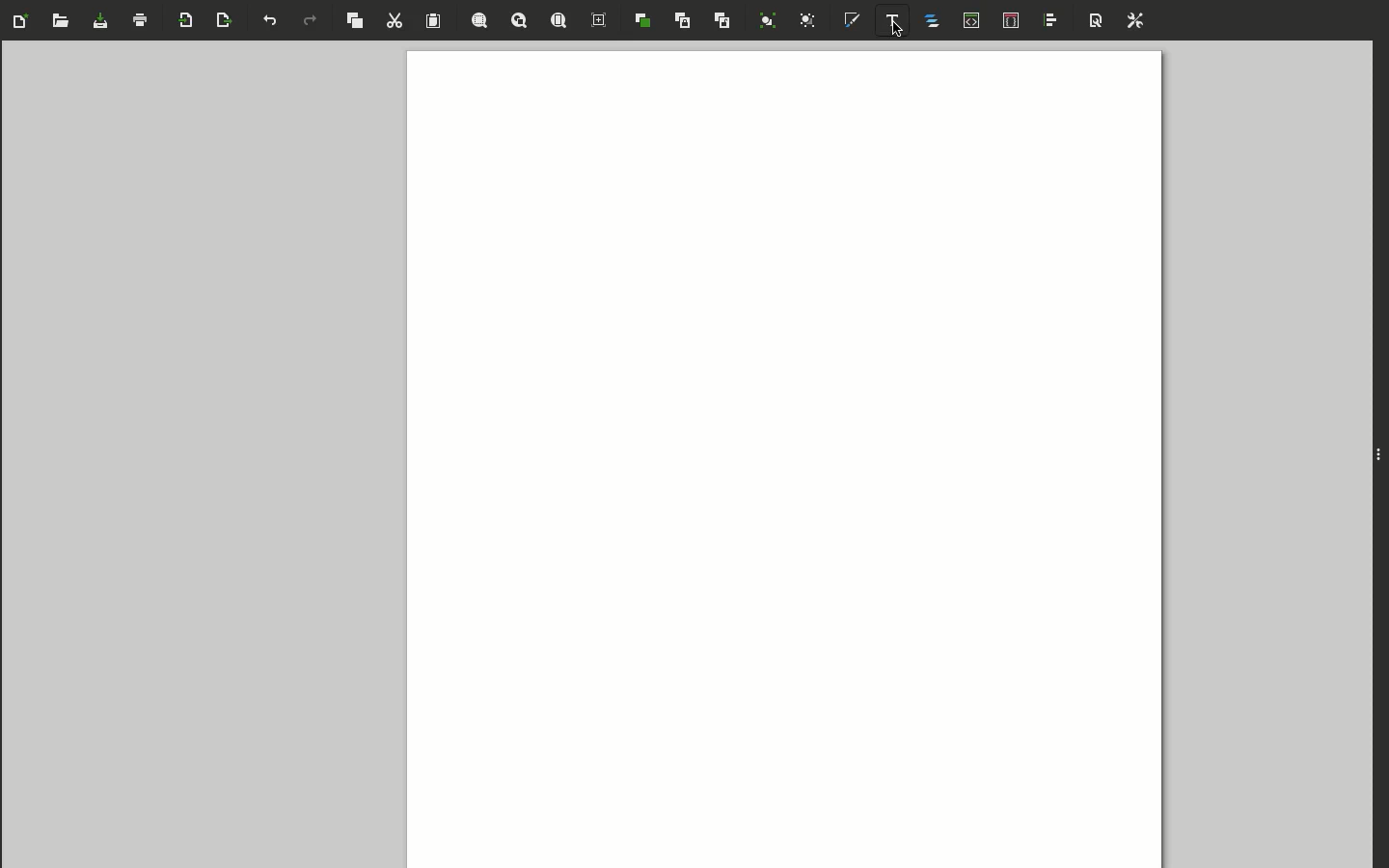 Image resolution: width=1389 pixels, height=868 pixels. What do you see at coordinates (786, 459) in the screenshot?
I see `Canvas` at bounding box center [786, 459].